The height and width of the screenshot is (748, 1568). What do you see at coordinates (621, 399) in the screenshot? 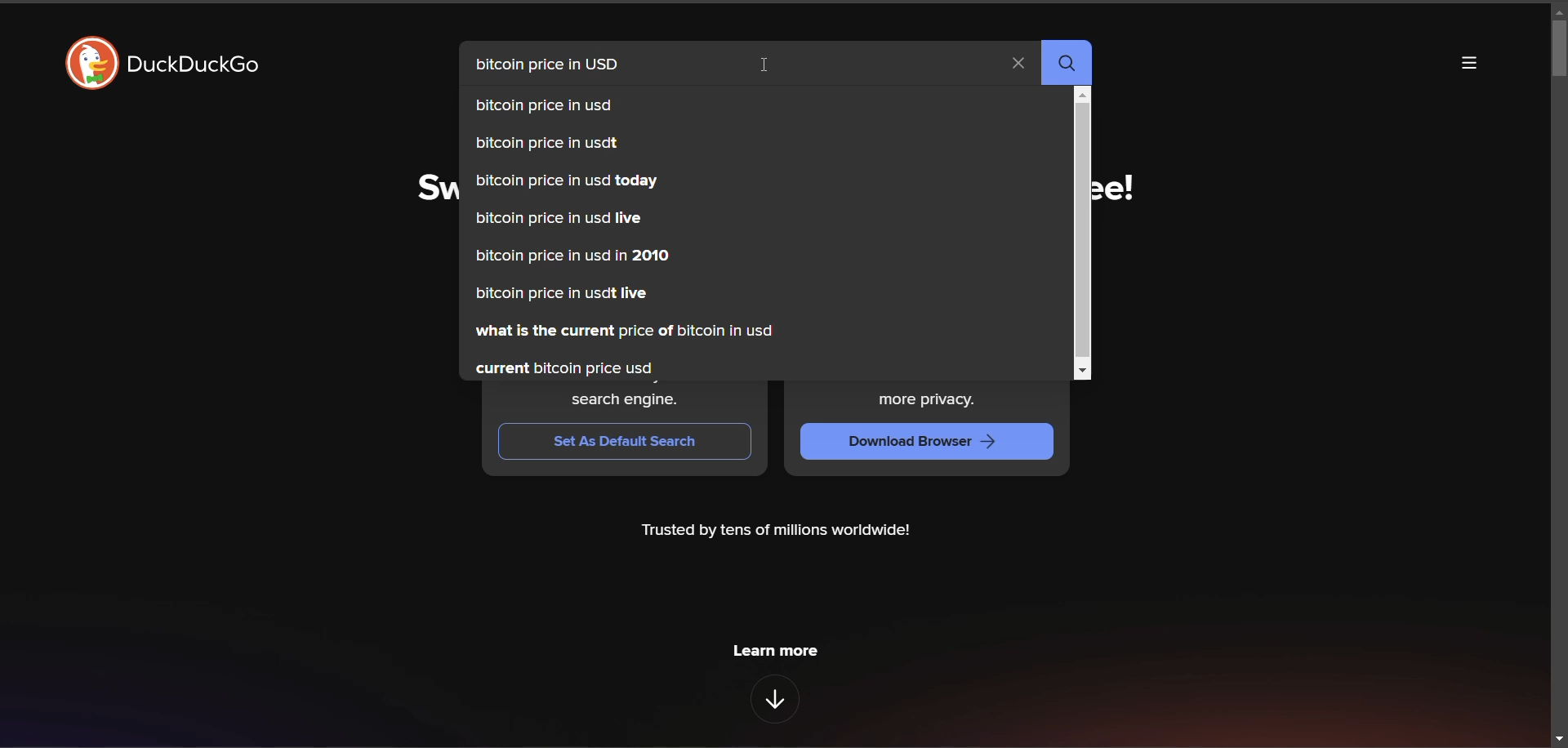
I see `search engine.` at bounding box center [621, 399].